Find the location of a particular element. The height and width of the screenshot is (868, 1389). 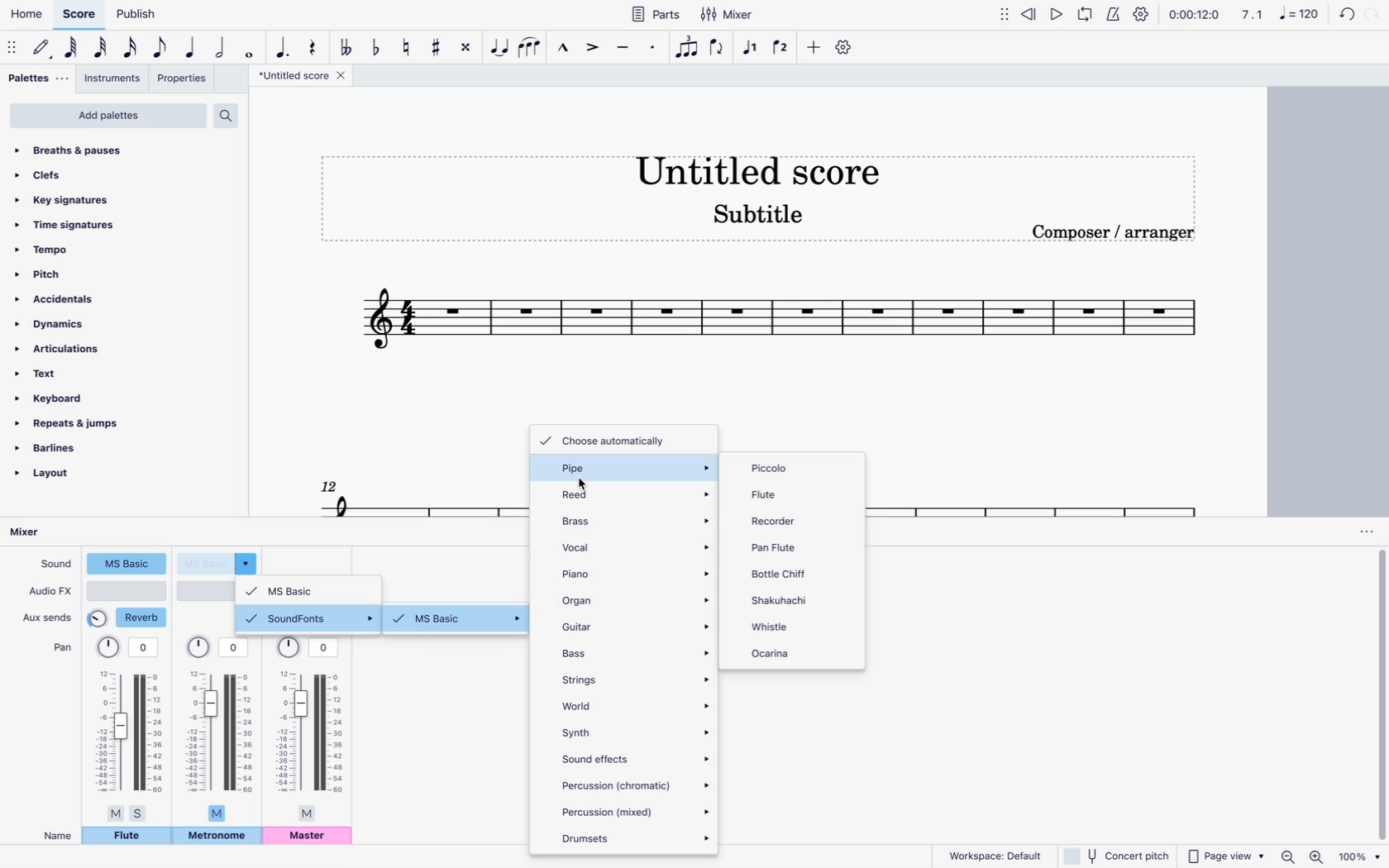

pan flute is located at coordinates (785, 547).